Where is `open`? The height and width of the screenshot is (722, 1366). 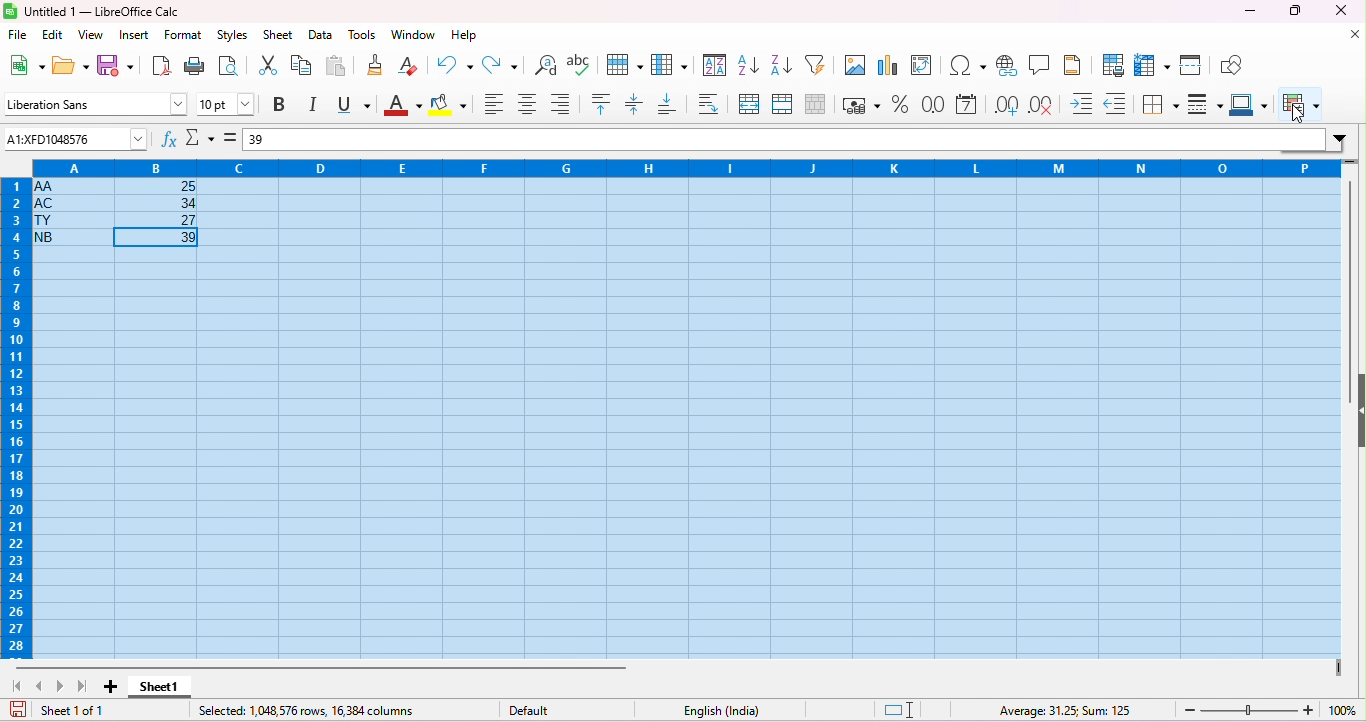
open is located at coordinates (73, 64).